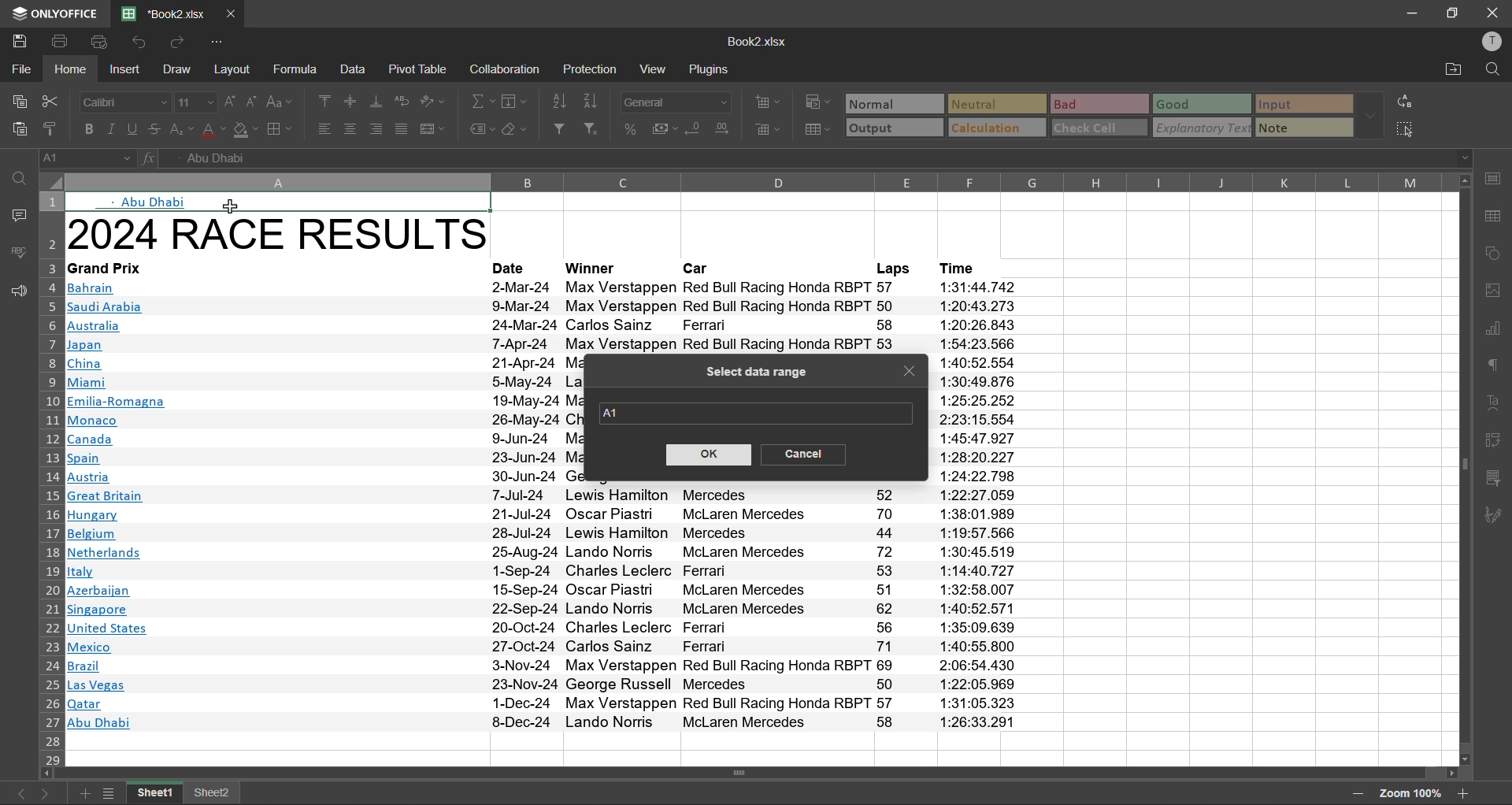 Image resolution: width=1512 pixels, height=805 pixels. What do you see at coordinates (756, 373) in the screenshot?
I see `select data range` at bounding box center [756, 373].